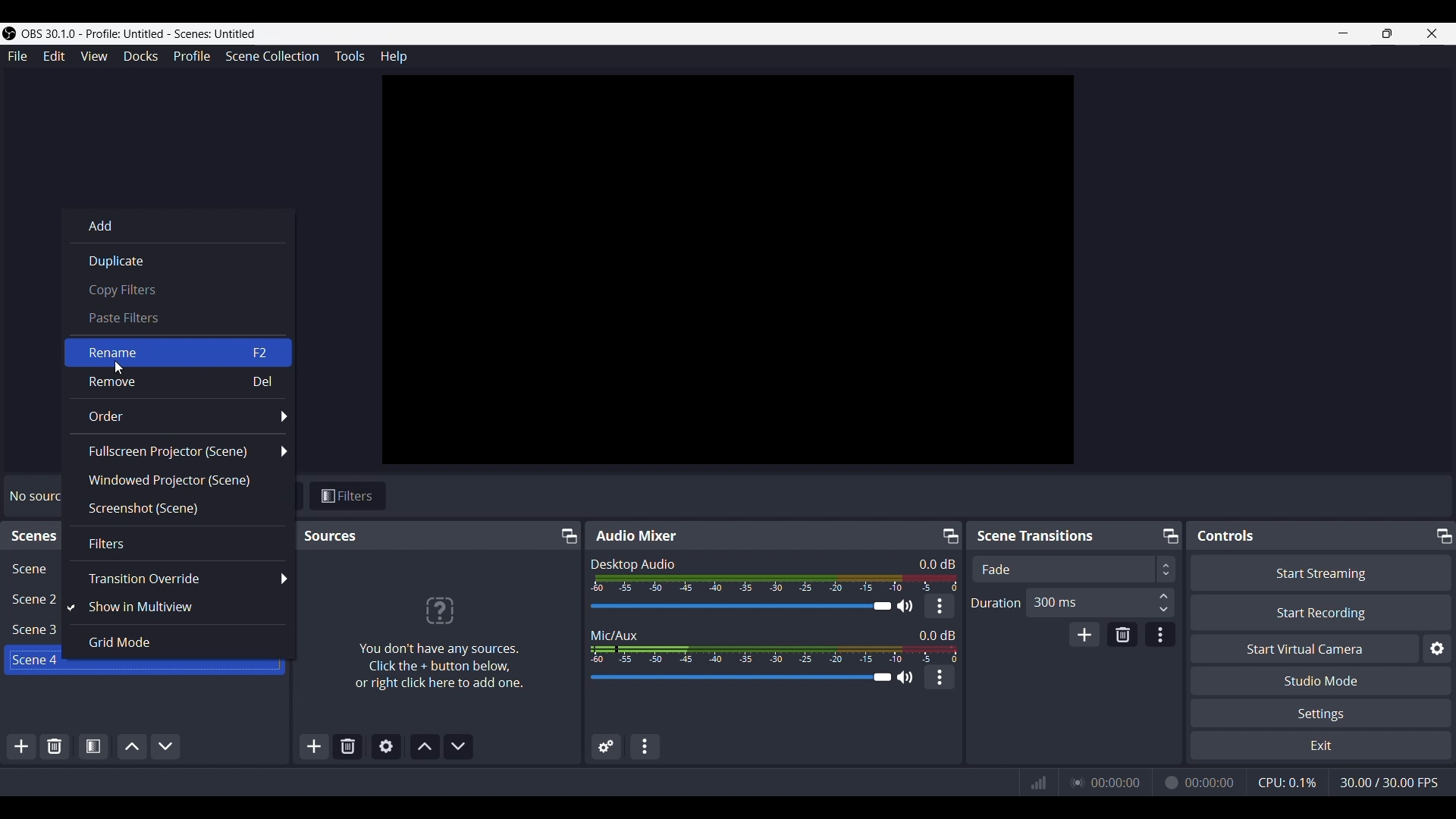 The height and width of the screenshot is (819, 1456). I want to click on Audio mixer menu, so click(646, 746).